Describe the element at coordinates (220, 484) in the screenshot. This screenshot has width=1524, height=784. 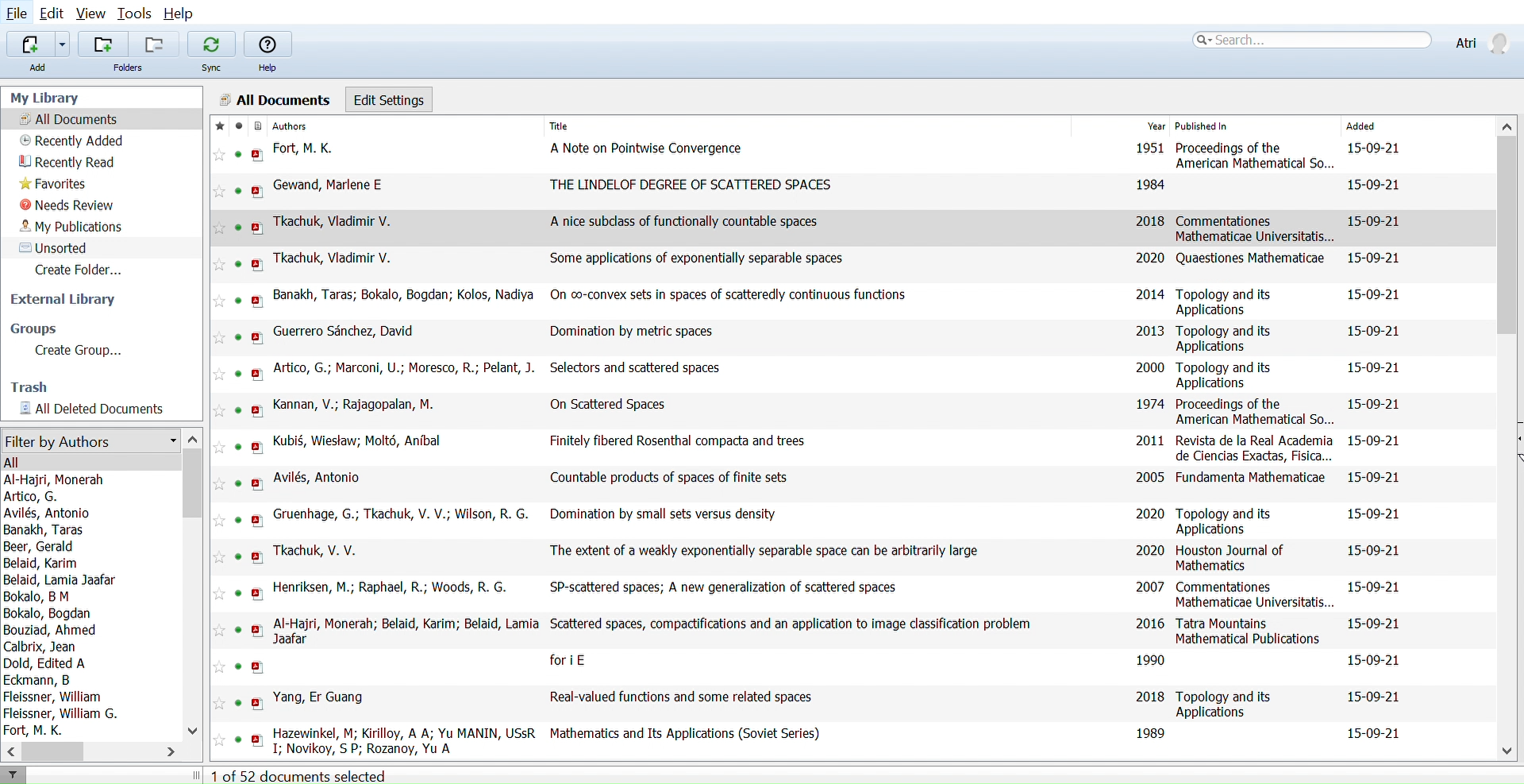
I see `Add this reference to favorites` at that location.